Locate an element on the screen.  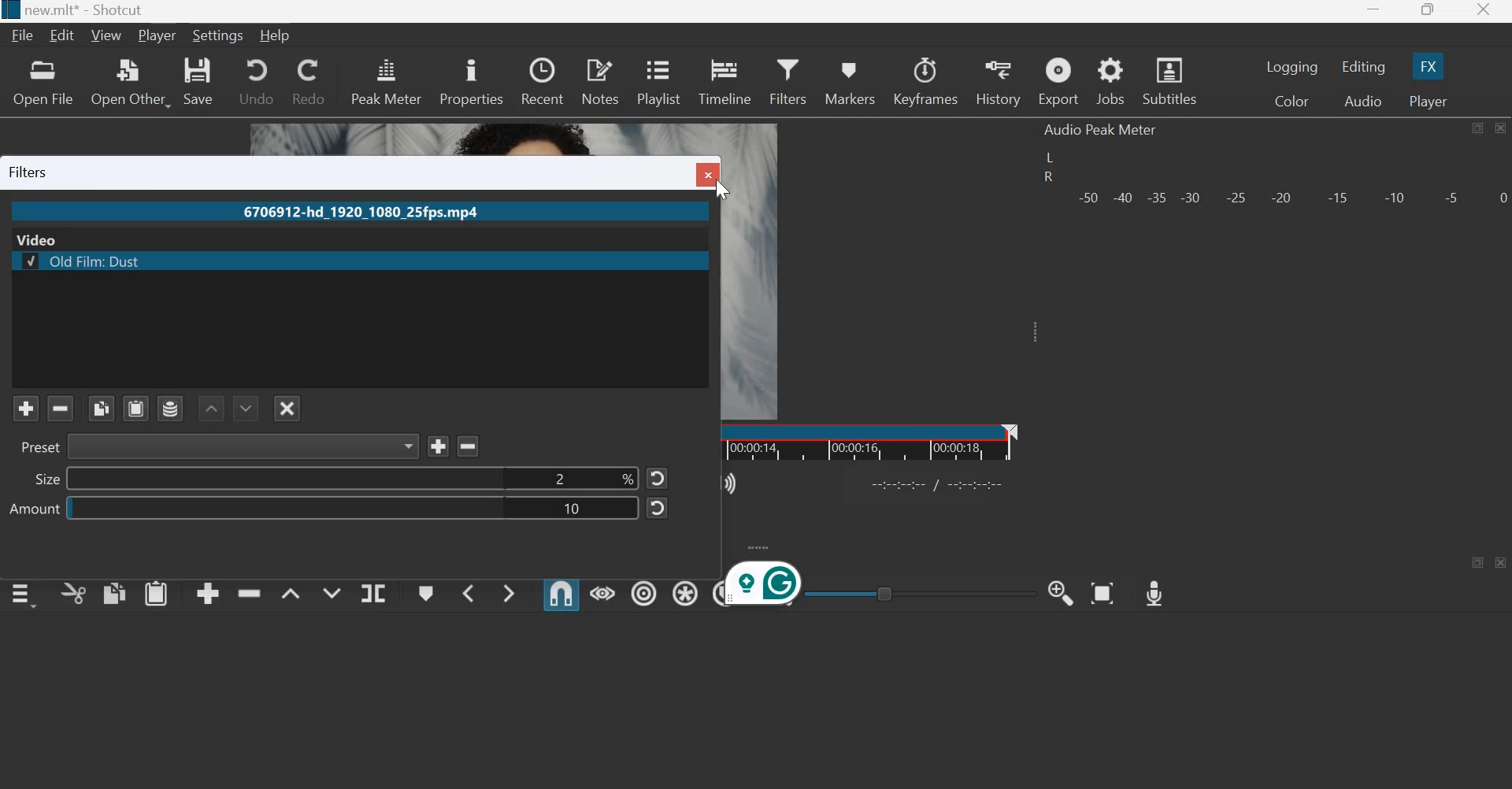
jobs is located at coordinates (1112, 82).